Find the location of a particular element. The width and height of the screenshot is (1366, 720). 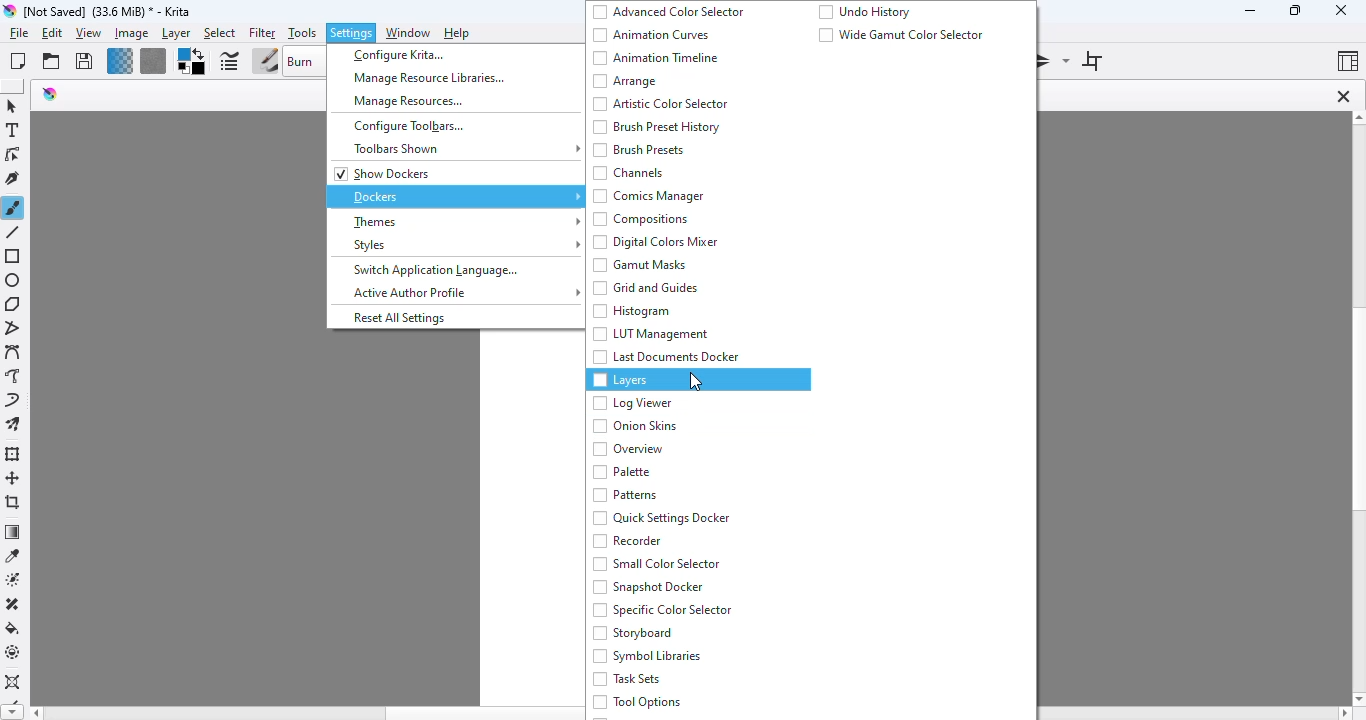

resize is located at coordinates (1293, 10).